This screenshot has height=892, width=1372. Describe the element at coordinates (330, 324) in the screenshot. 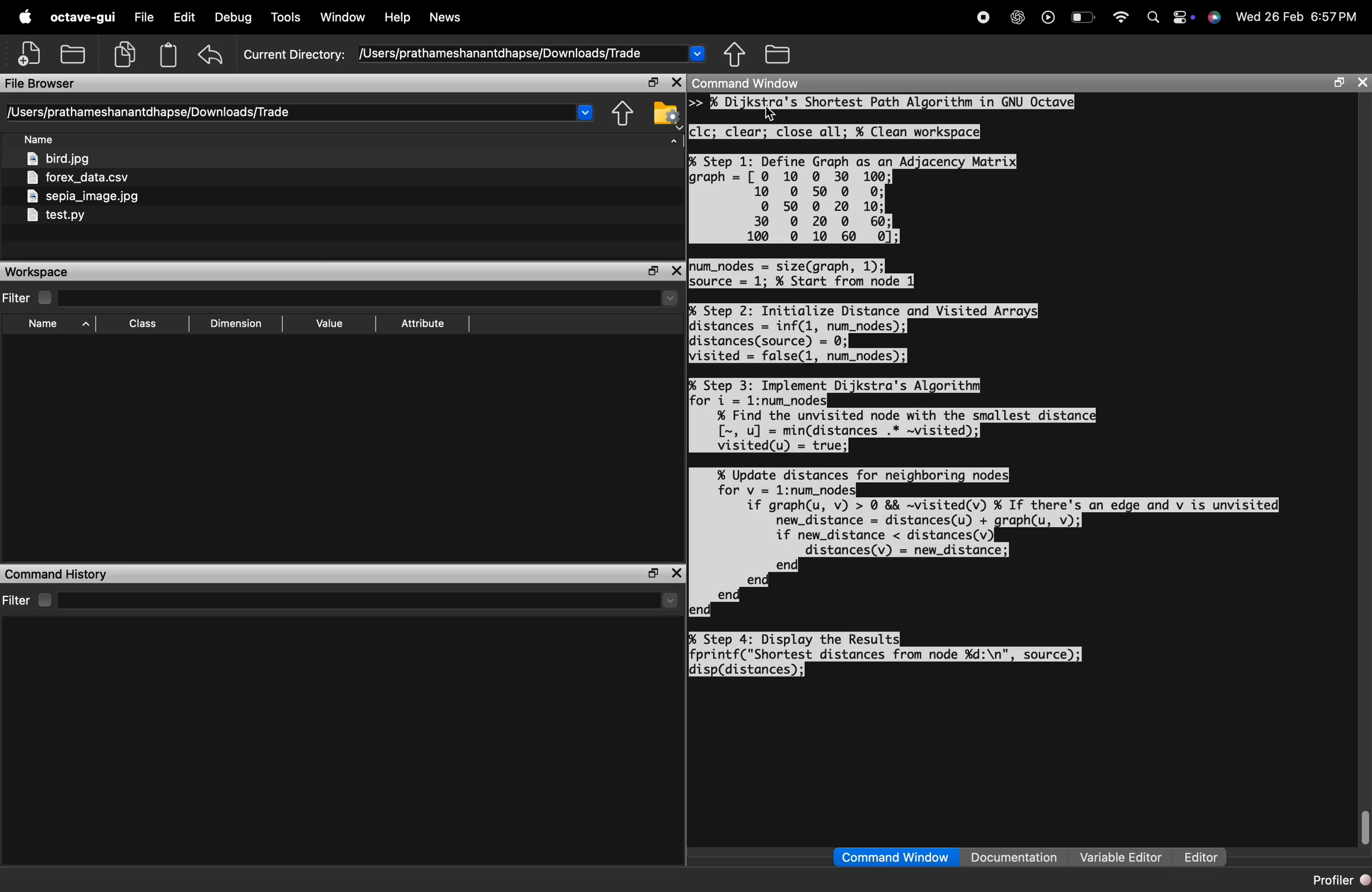

I see `sort by value` at that location.